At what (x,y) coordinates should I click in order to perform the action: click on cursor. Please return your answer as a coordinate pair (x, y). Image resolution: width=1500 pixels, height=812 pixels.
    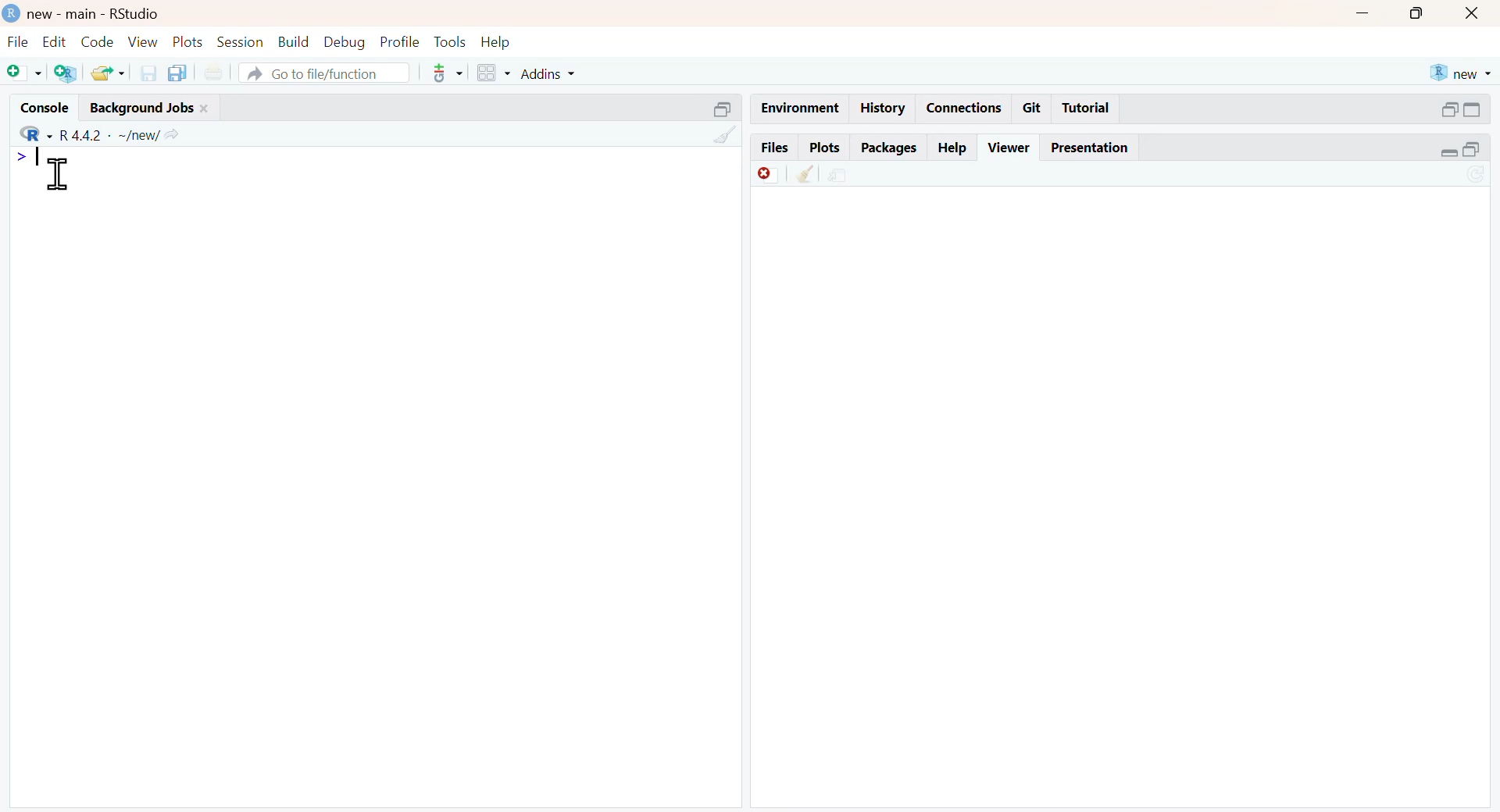
    Looking at the image, I should click on (59, 173).